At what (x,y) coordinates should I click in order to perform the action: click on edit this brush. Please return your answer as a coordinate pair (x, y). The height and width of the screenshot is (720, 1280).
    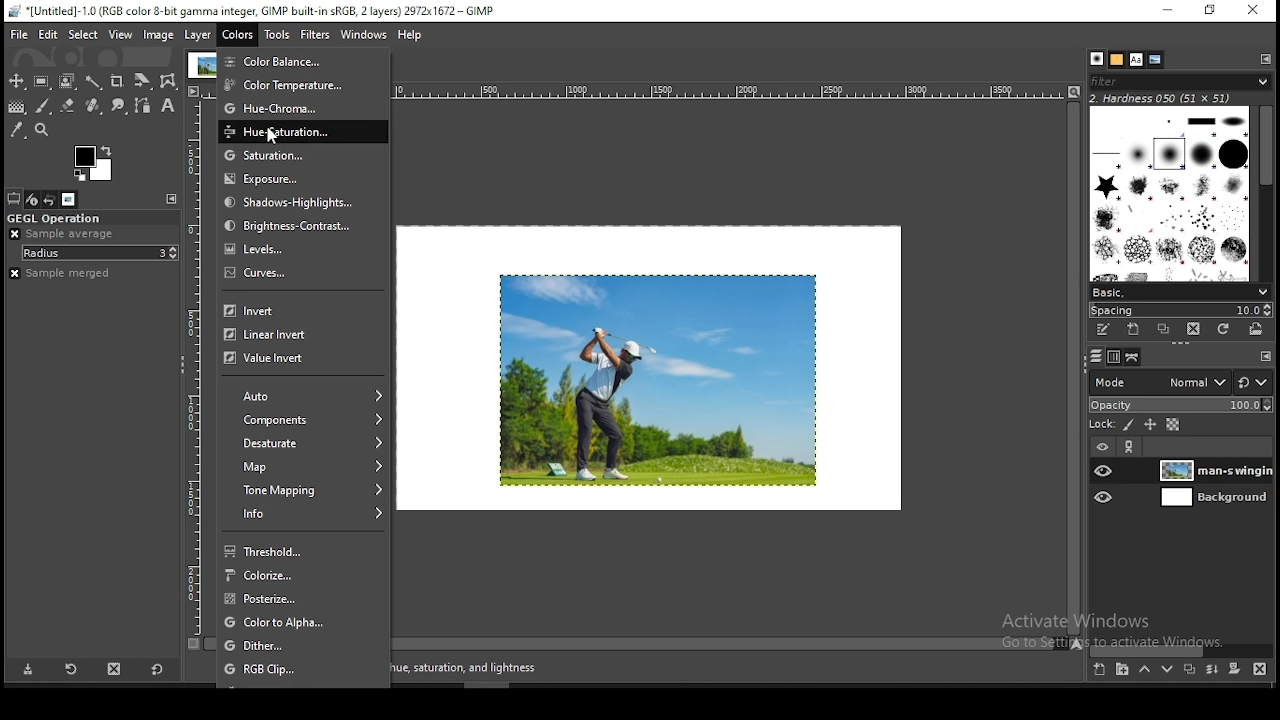
    Looking at the image, I should click on (1101, 331).